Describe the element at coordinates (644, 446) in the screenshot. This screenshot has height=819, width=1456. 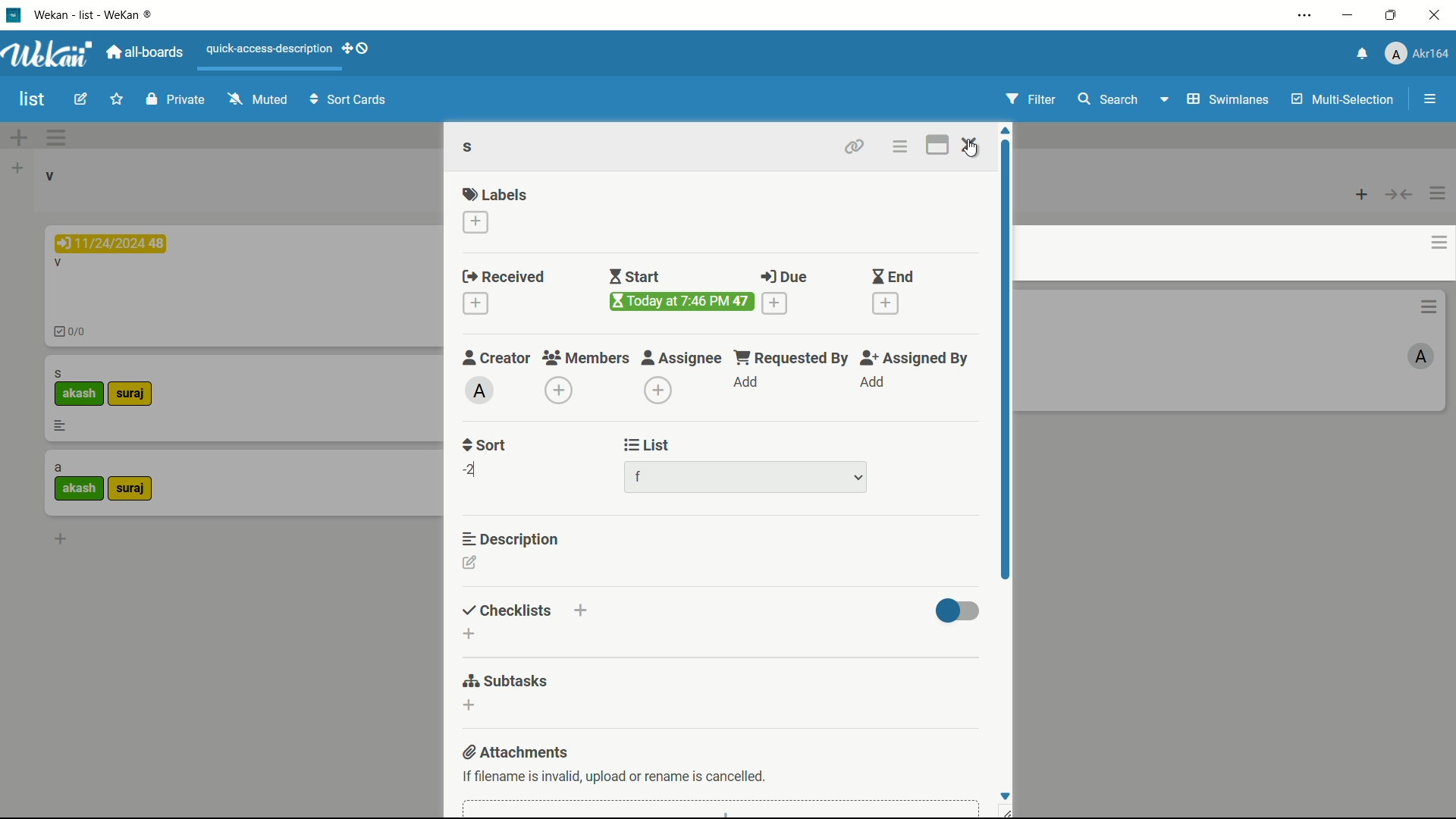
I see `list` at that location.